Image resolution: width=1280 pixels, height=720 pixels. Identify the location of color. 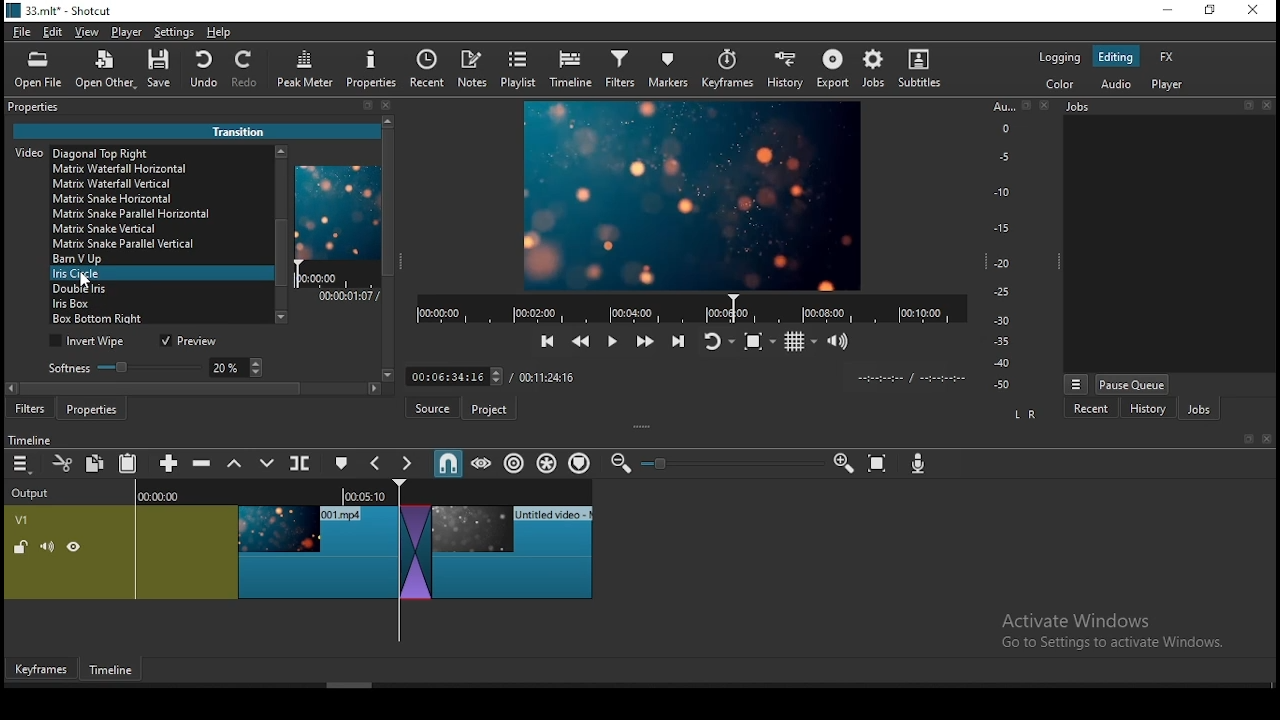
(1060, 57).